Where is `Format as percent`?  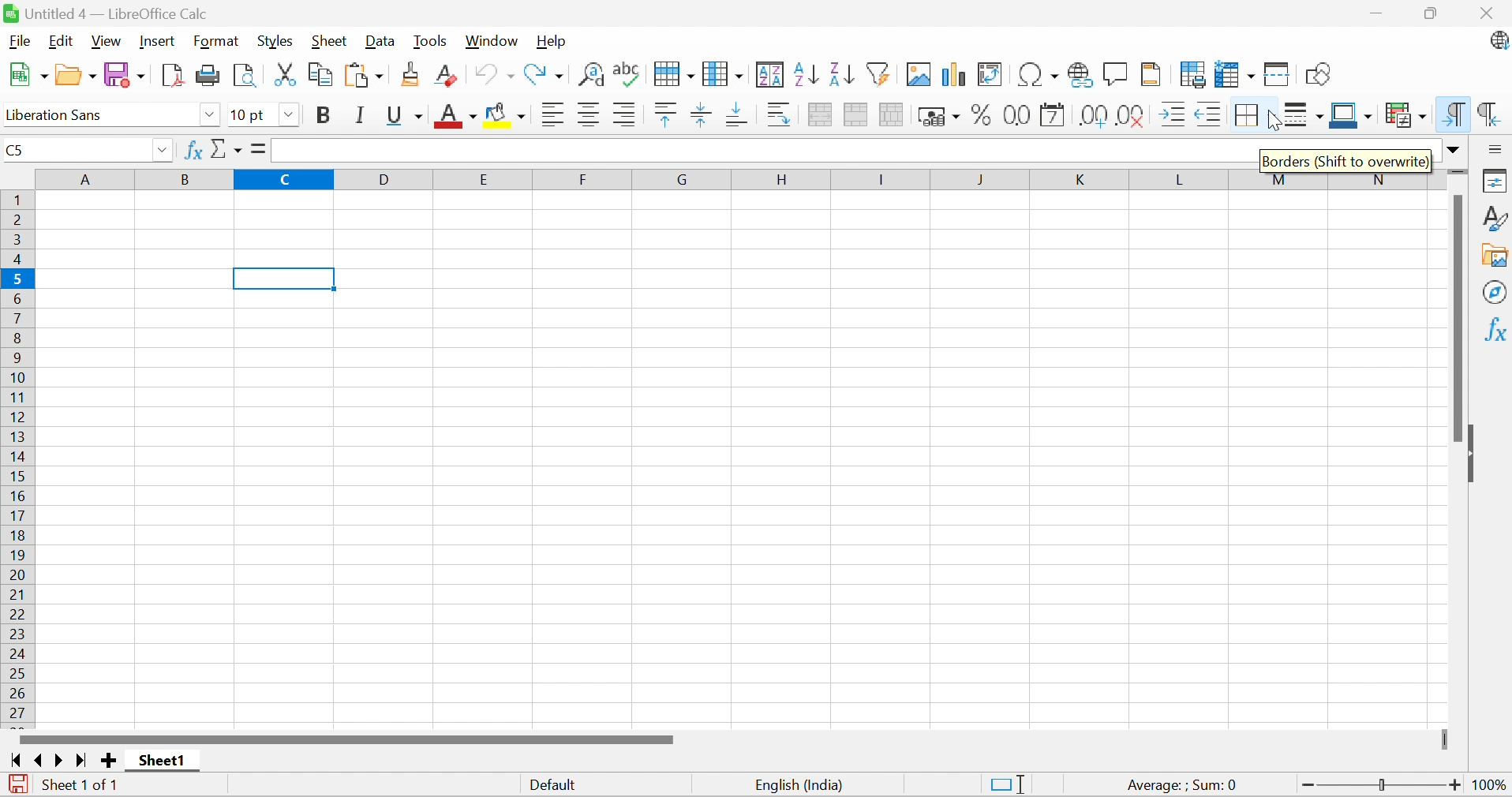
Format as percent is located at coordinates (982, 118).